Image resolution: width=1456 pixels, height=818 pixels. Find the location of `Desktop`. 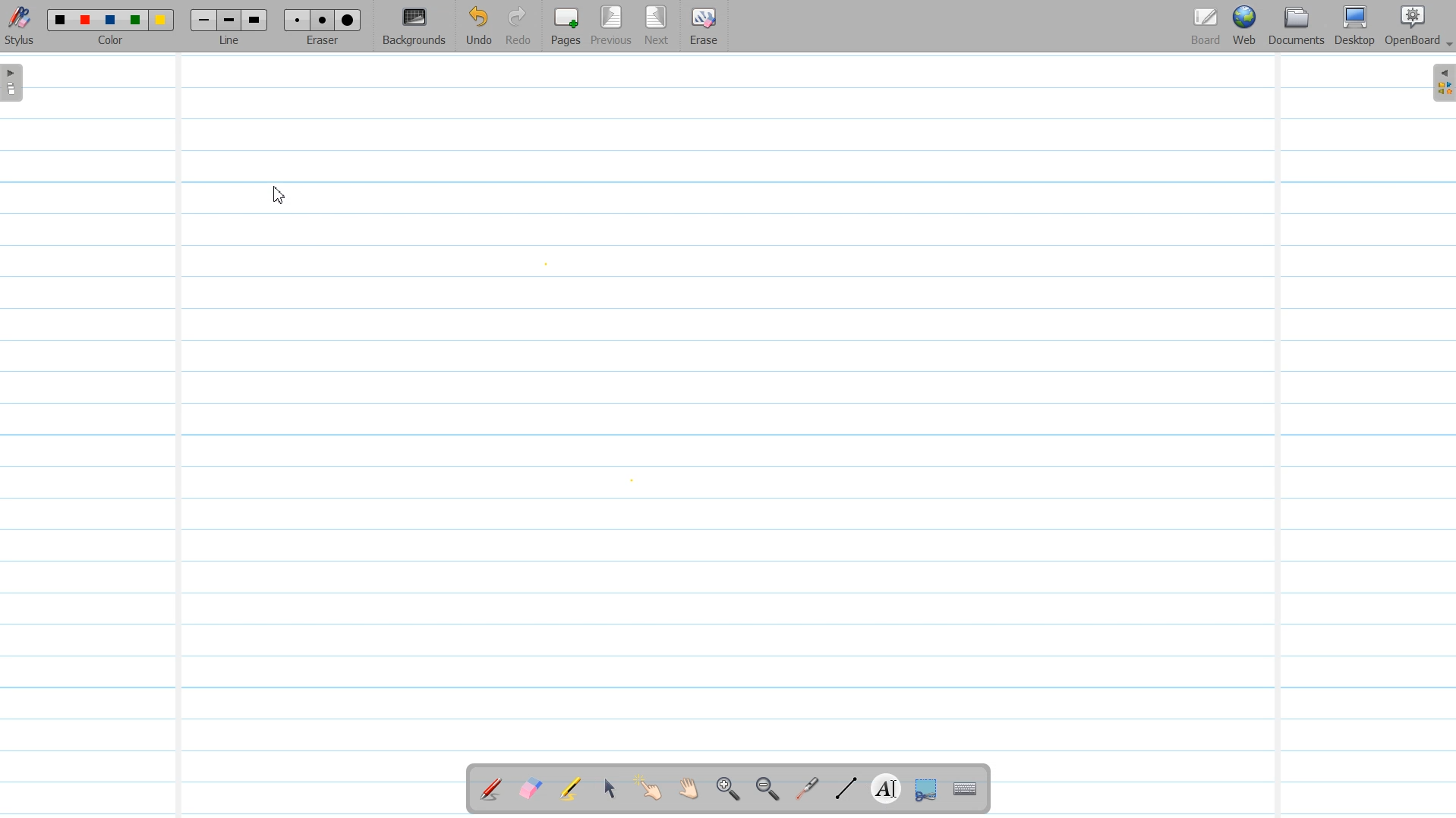

Desktop is located at coordinates (1354, 27).